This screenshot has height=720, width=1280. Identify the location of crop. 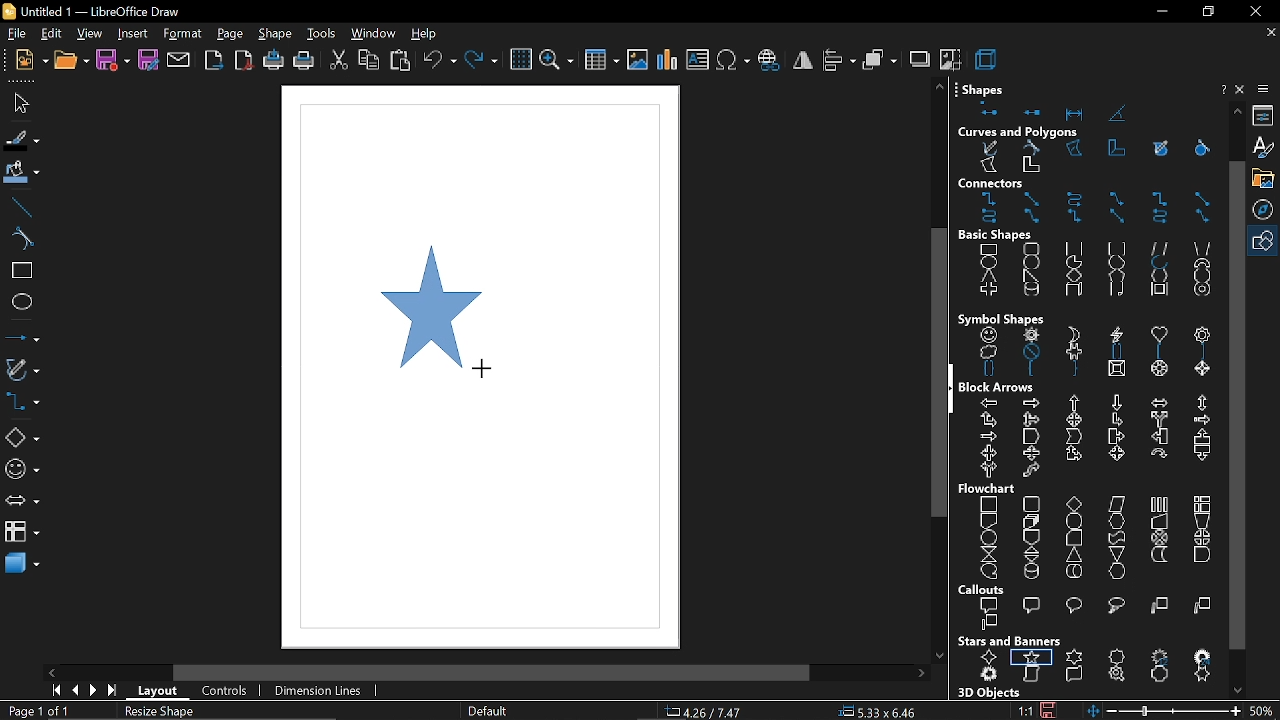
(950, 60).